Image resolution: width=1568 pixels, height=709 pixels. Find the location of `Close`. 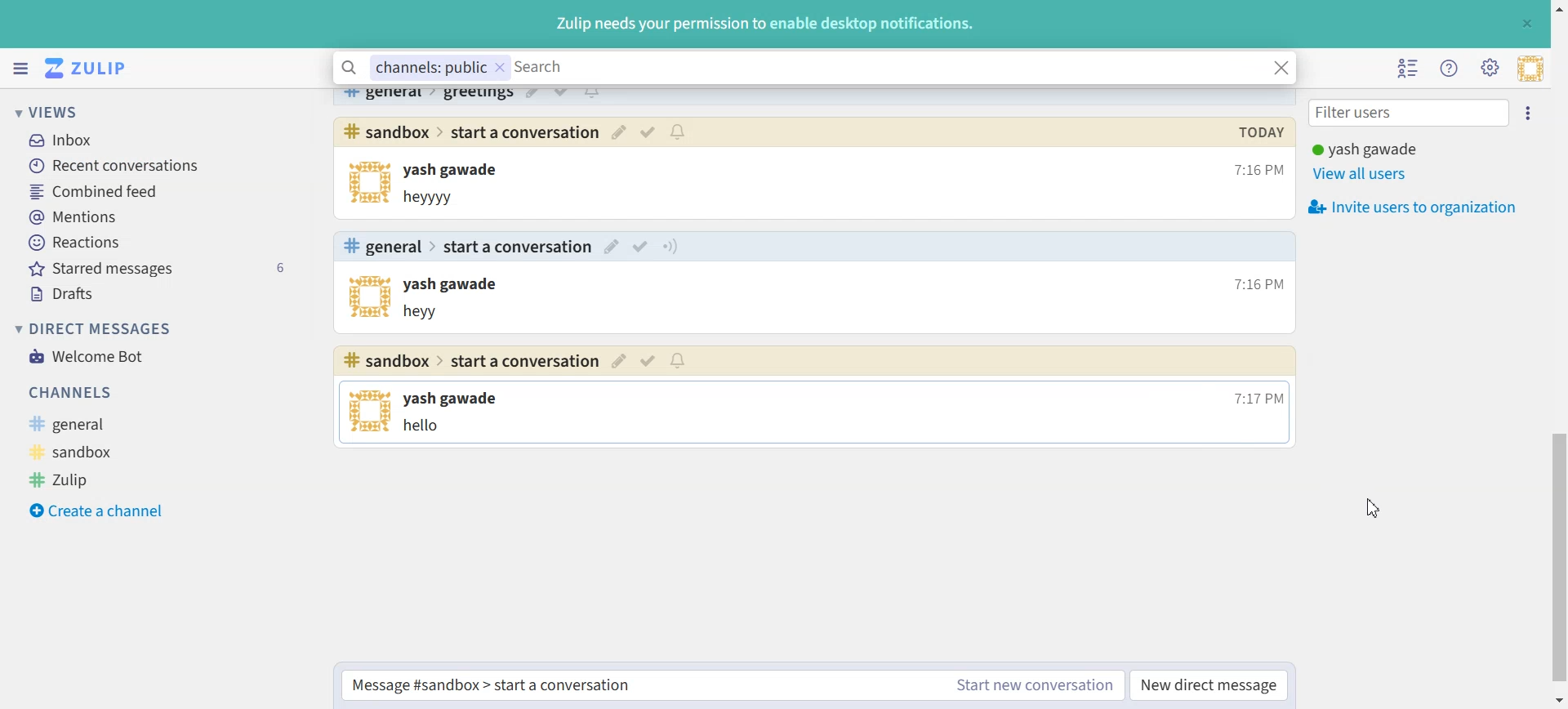

Close is located at coordinates (1281, 67).